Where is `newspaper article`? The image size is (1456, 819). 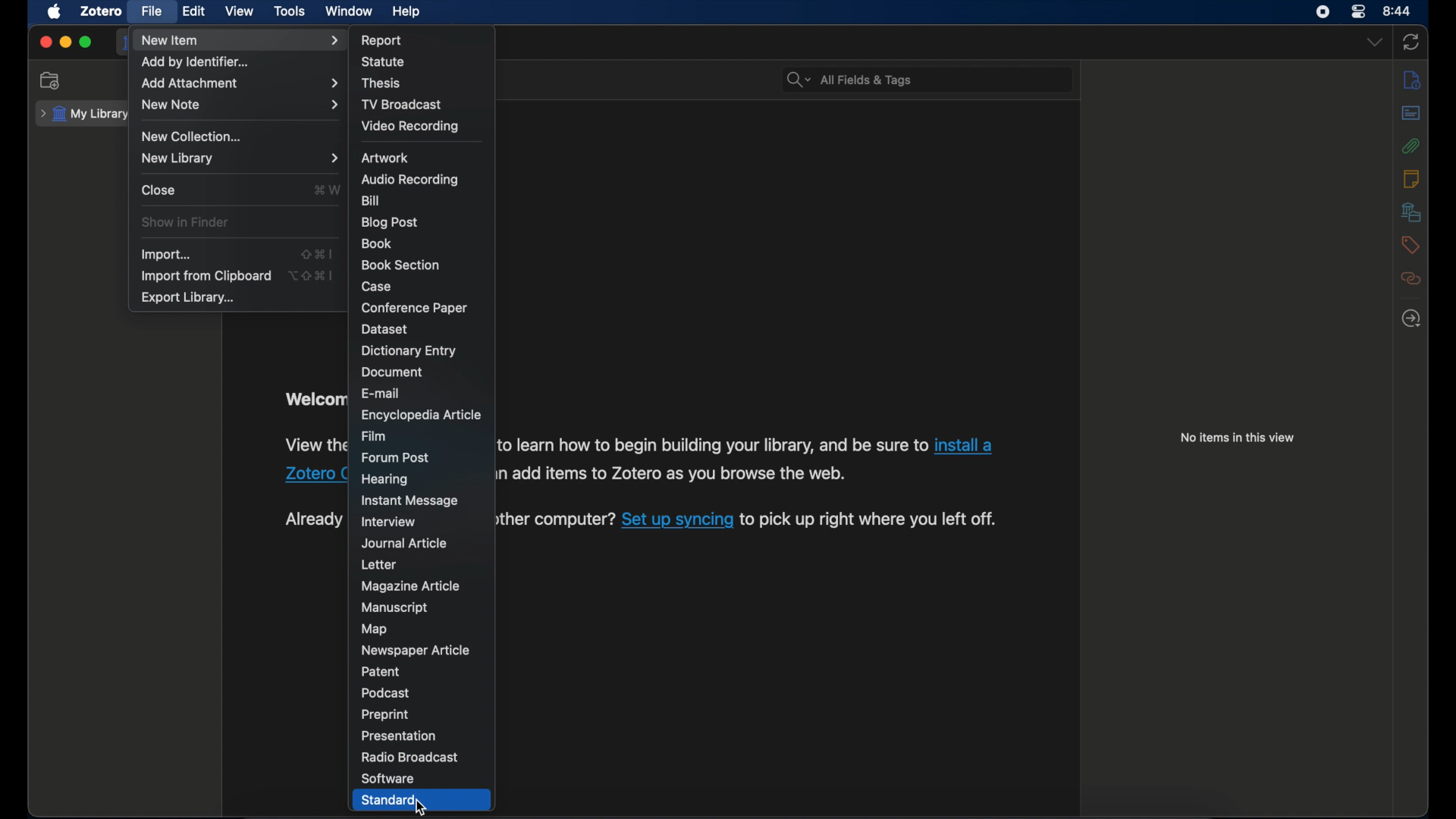 newspaper article is located at coordinates (415, 649).